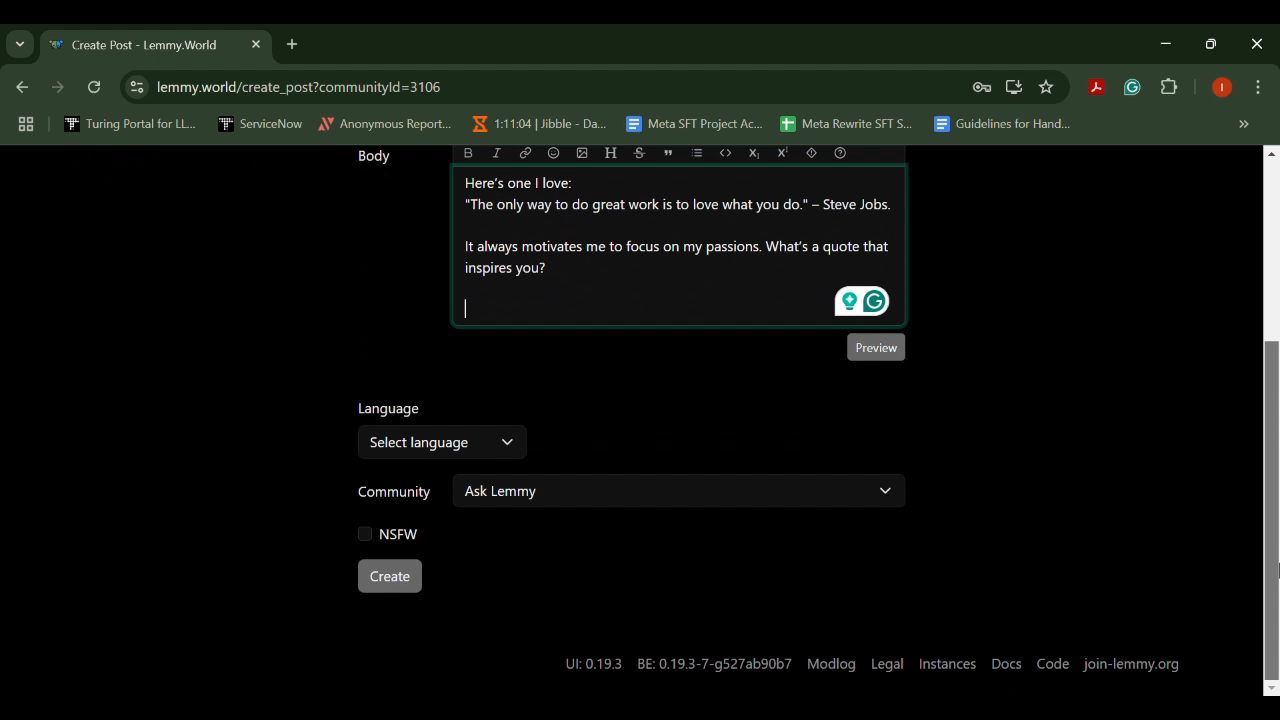  What do you see at coordinates (754, 153) in the screenshot?
I see `Subscript` at bounding box center [754, 153].